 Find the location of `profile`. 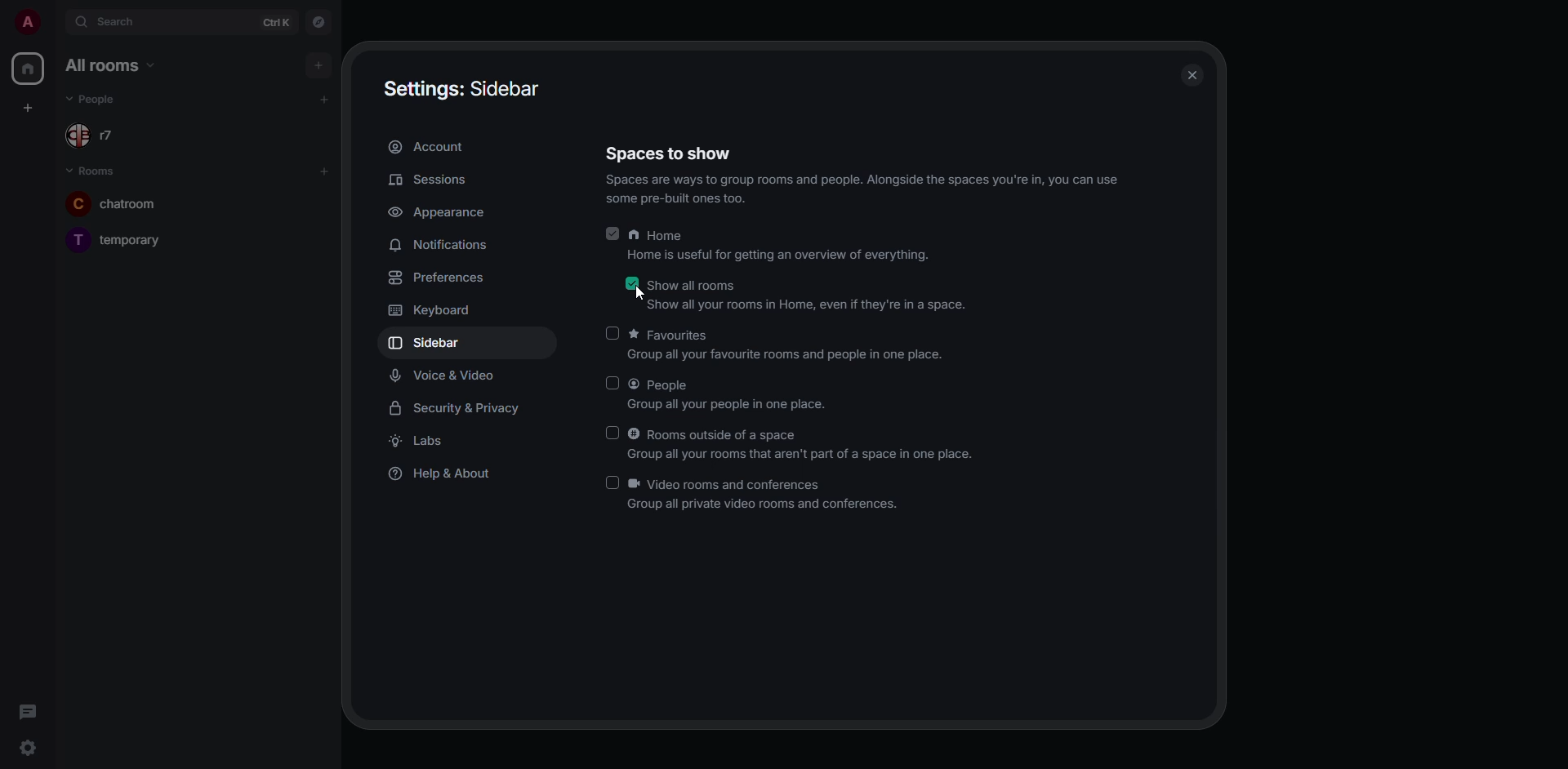

profile is located at coordinates (25, 24).